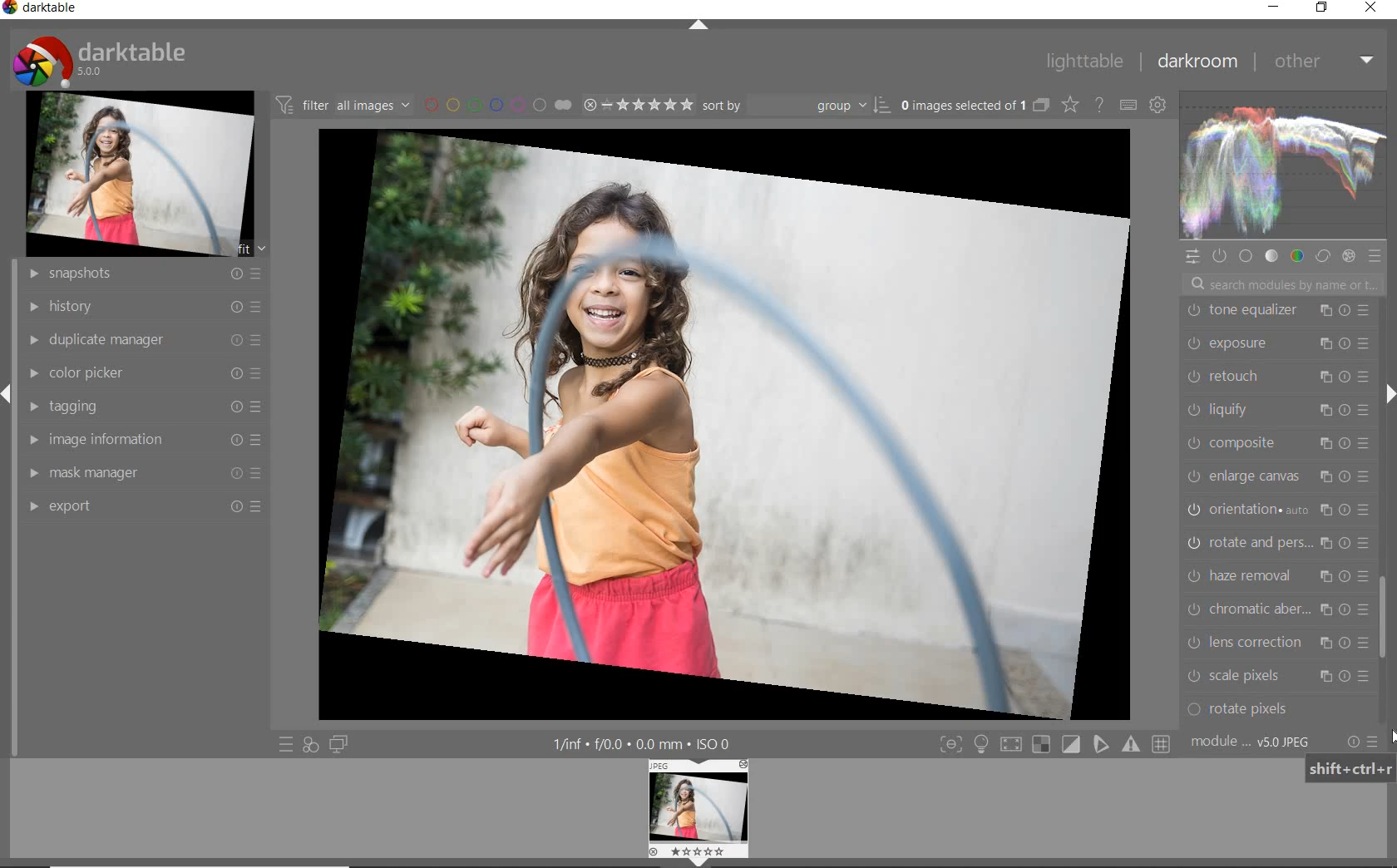  What do you see at coordinates (1395, 737) in the screenshot?
I see `CURSOR POSITION` at bounding box center [1395, 737].